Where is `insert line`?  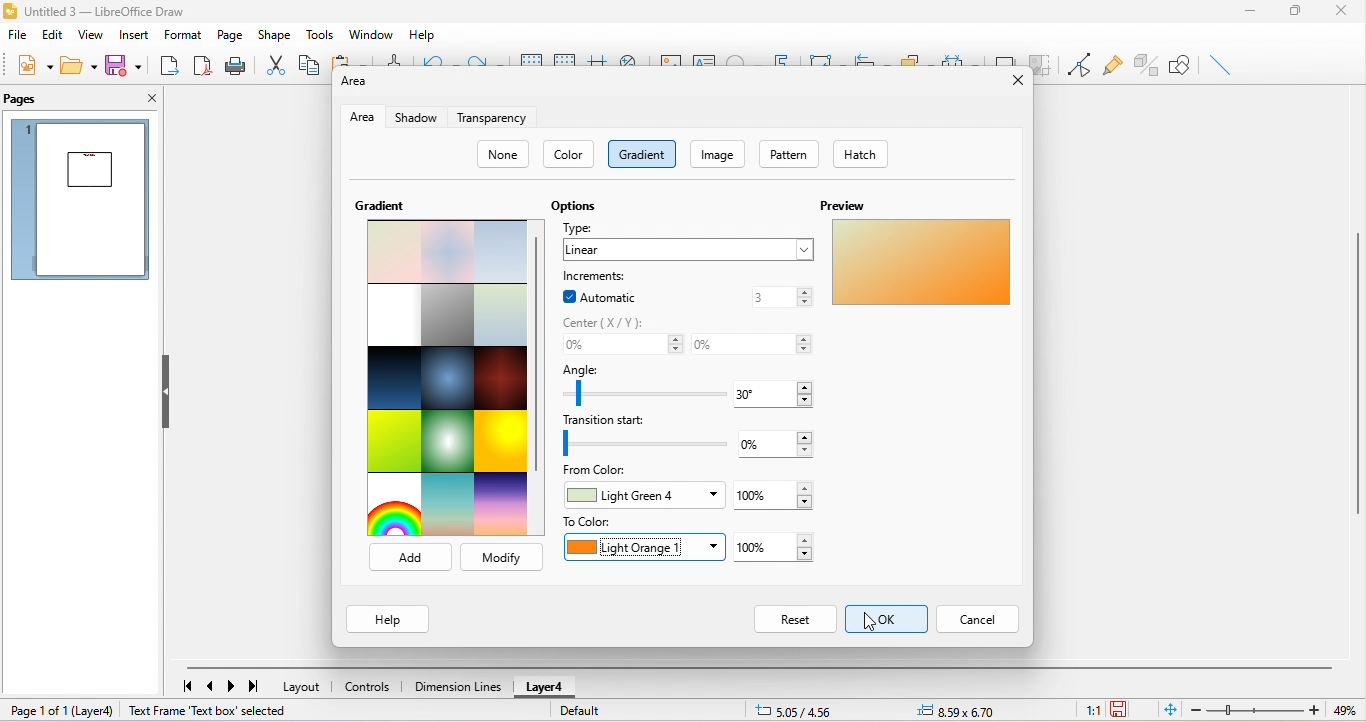 insert line is located at coordinates (1224, 65).